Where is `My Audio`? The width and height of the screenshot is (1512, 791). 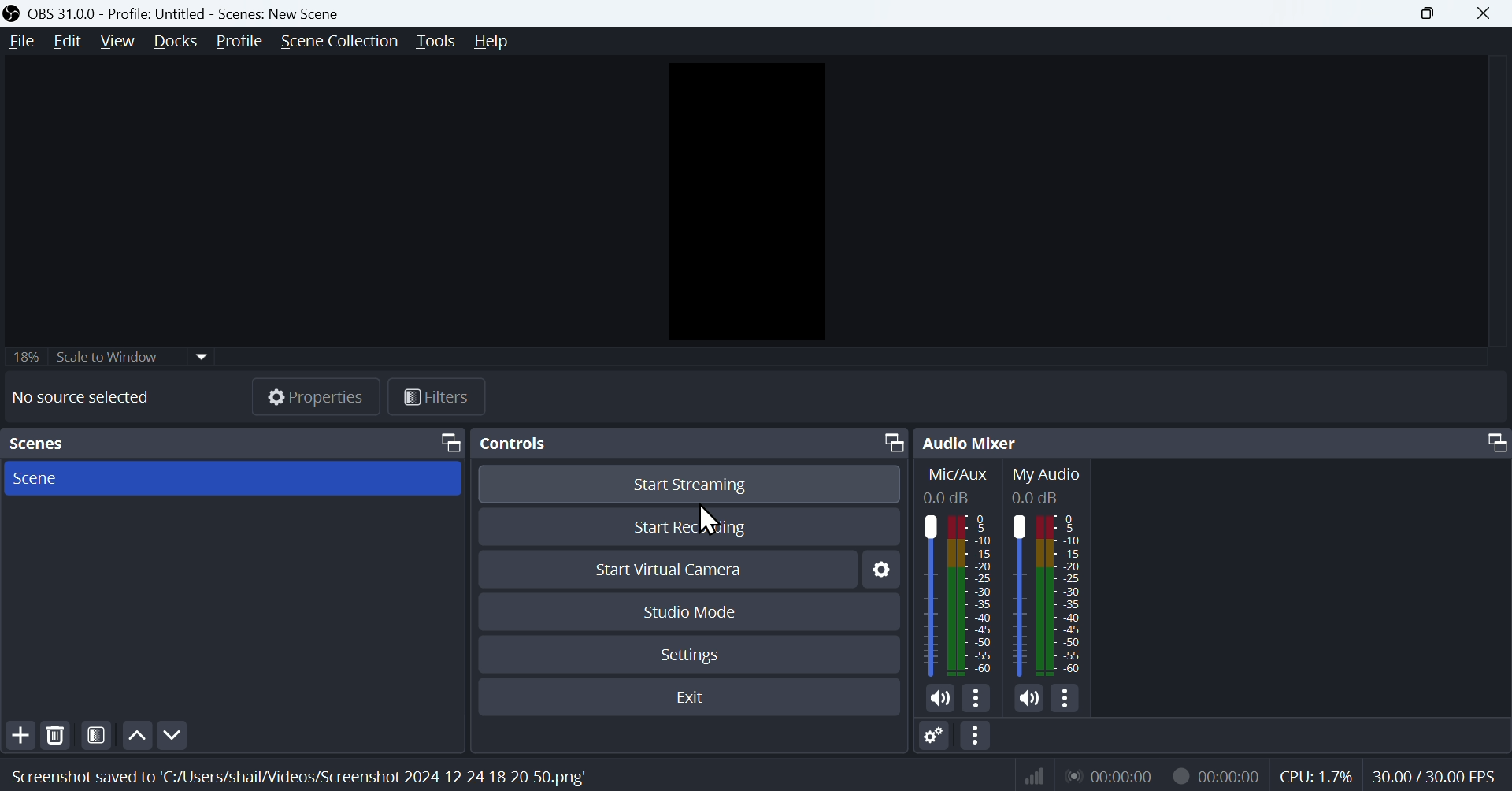
My Audio is located at coordinates (1058, 570).